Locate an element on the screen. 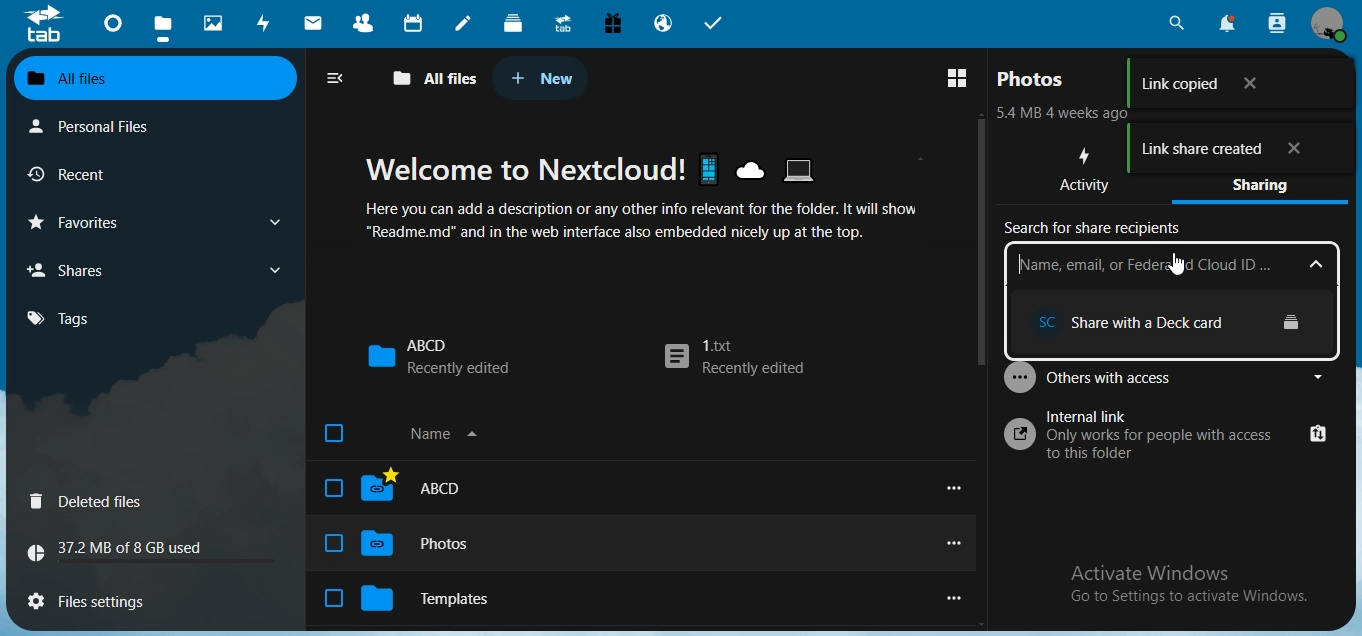 The image size is (1362, 636). files is located at coordinates (99, 598).